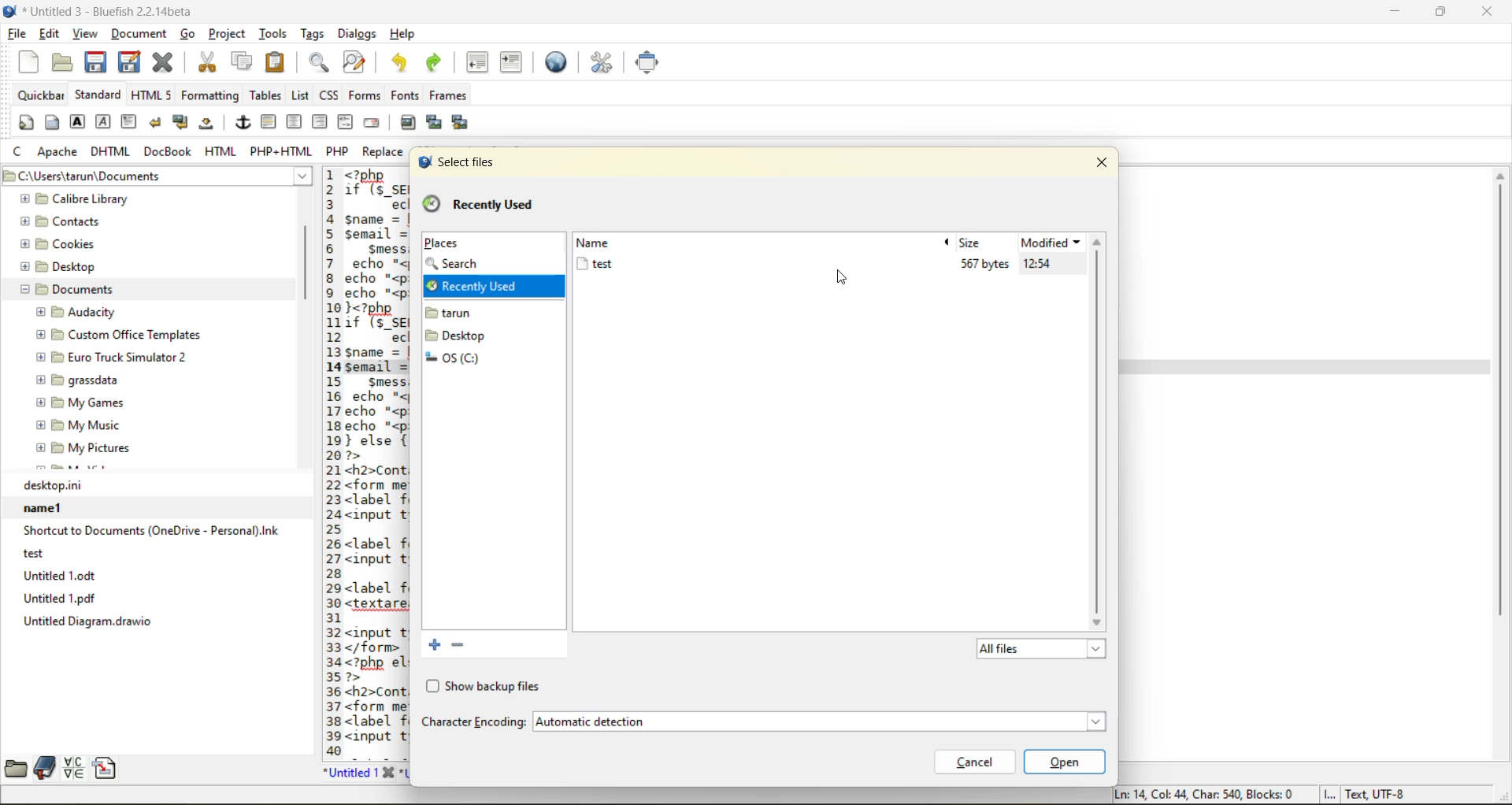 The height and width of the screenshot is (805, 1512). Describe the element at coordinates (150, 531) in the screenshot. I see `Shortcut to Documents (OneDrive - Personal).lnk` at that location.